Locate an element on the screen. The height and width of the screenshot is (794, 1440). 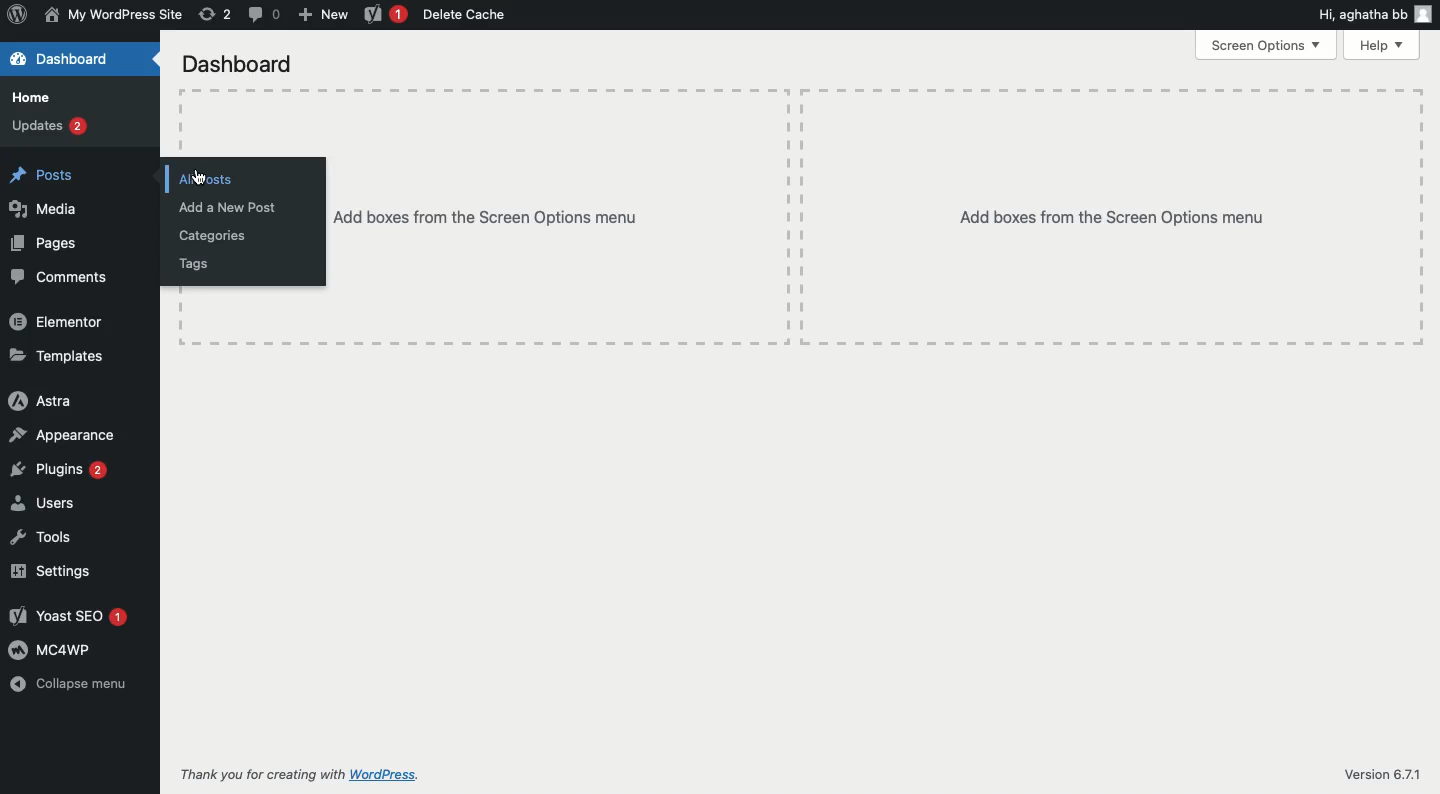
Yoast SEO is located at coordinates (67, 613).